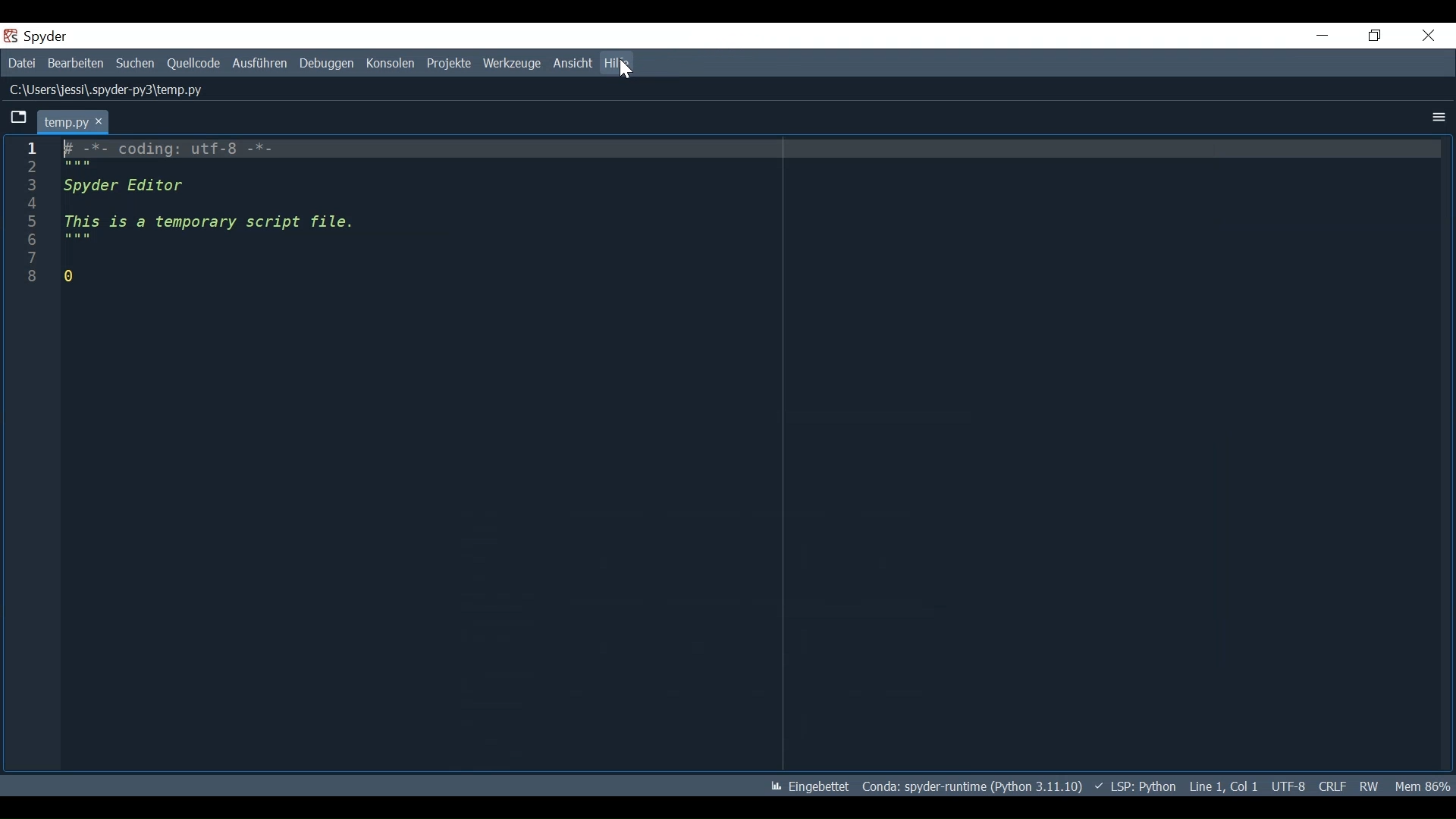  What do you see at coordinates (1322, 36) in the screenshot?
I see `Minimize` at bounding box center [1322, 36].